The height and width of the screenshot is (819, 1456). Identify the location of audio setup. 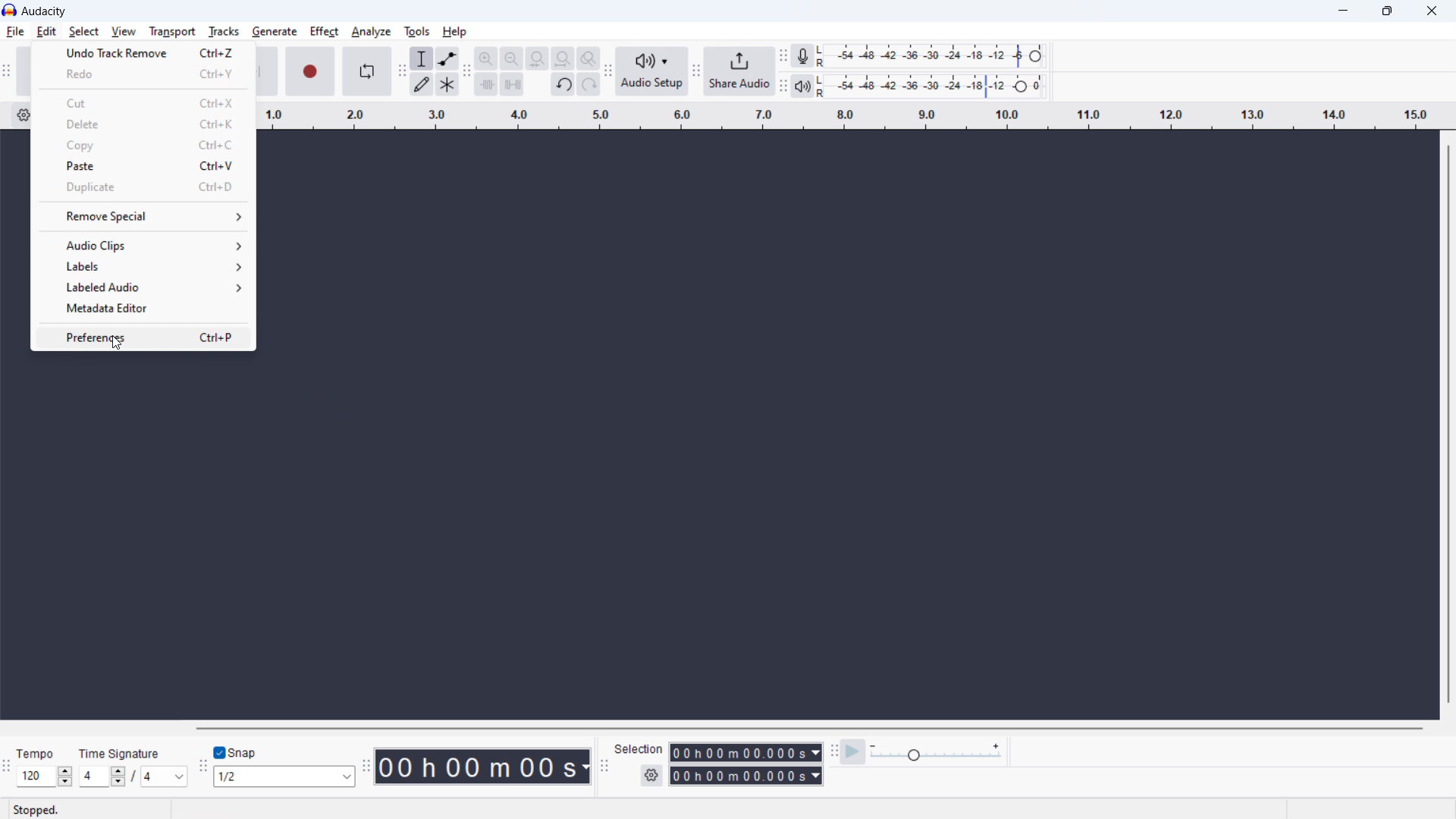
(652, 72).